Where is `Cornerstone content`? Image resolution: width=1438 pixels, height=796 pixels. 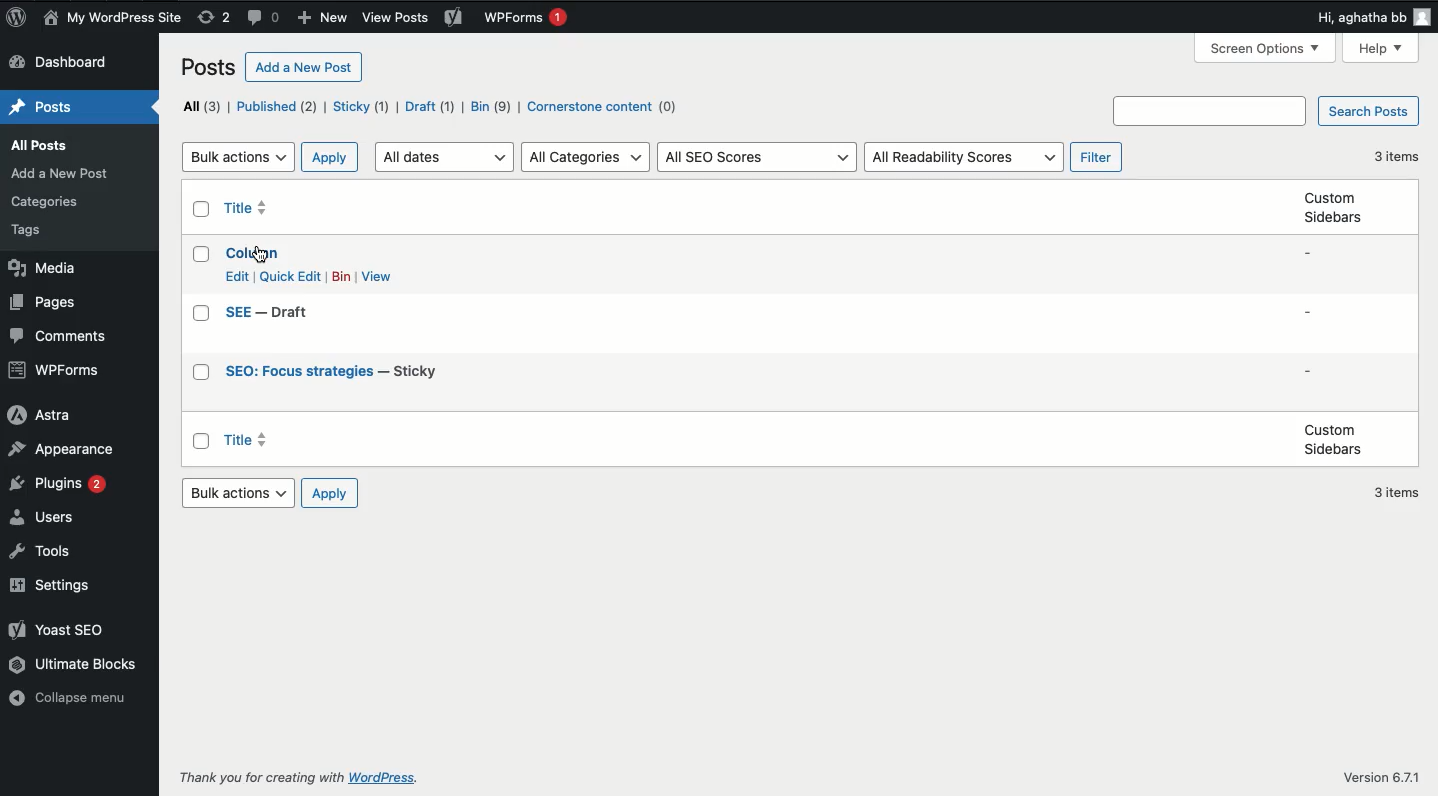
Cornerstone content is located at coordinates (605, 108).